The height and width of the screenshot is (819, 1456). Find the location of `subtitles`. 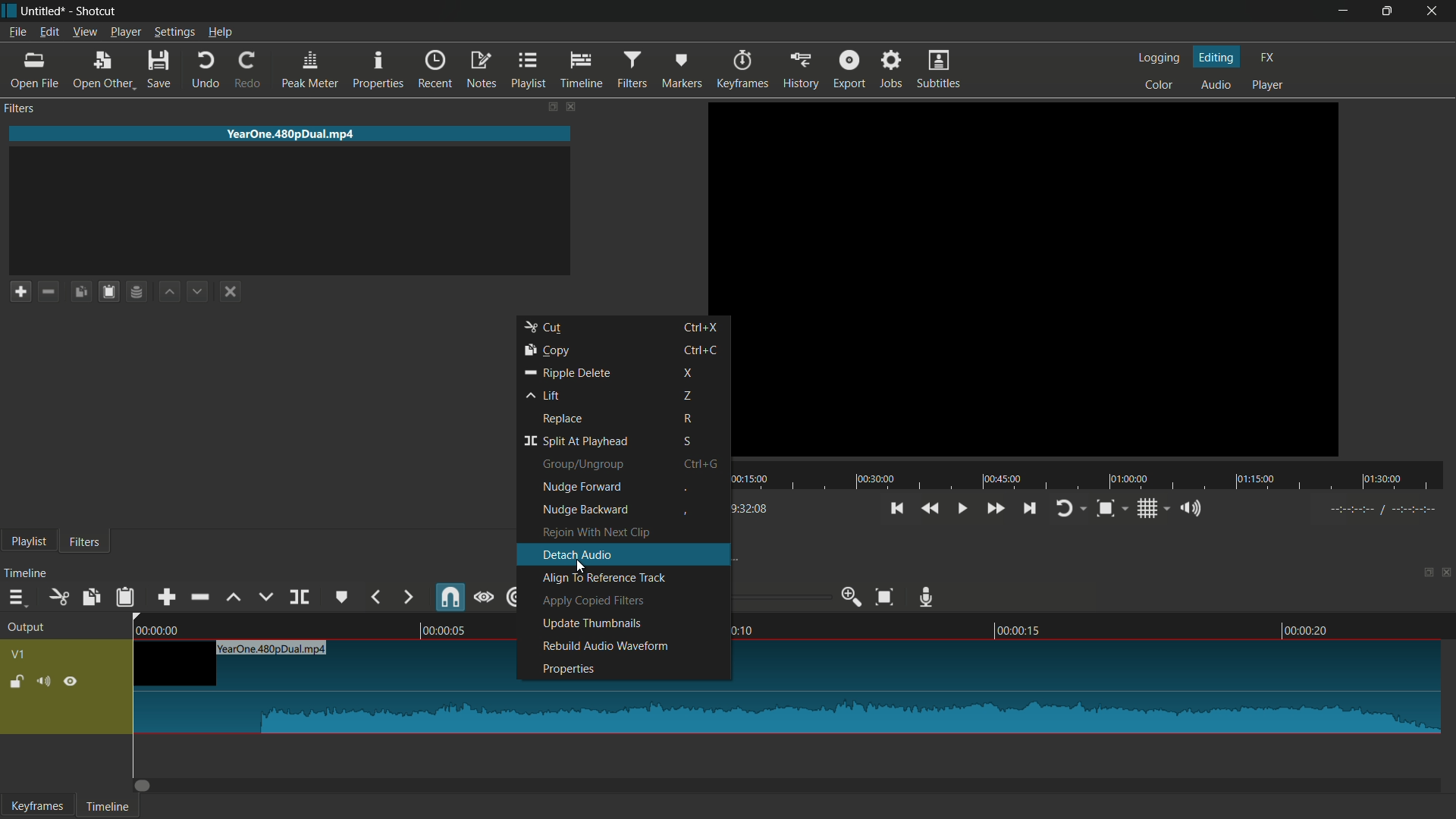

subtitles is located at coordinates (940, 68).